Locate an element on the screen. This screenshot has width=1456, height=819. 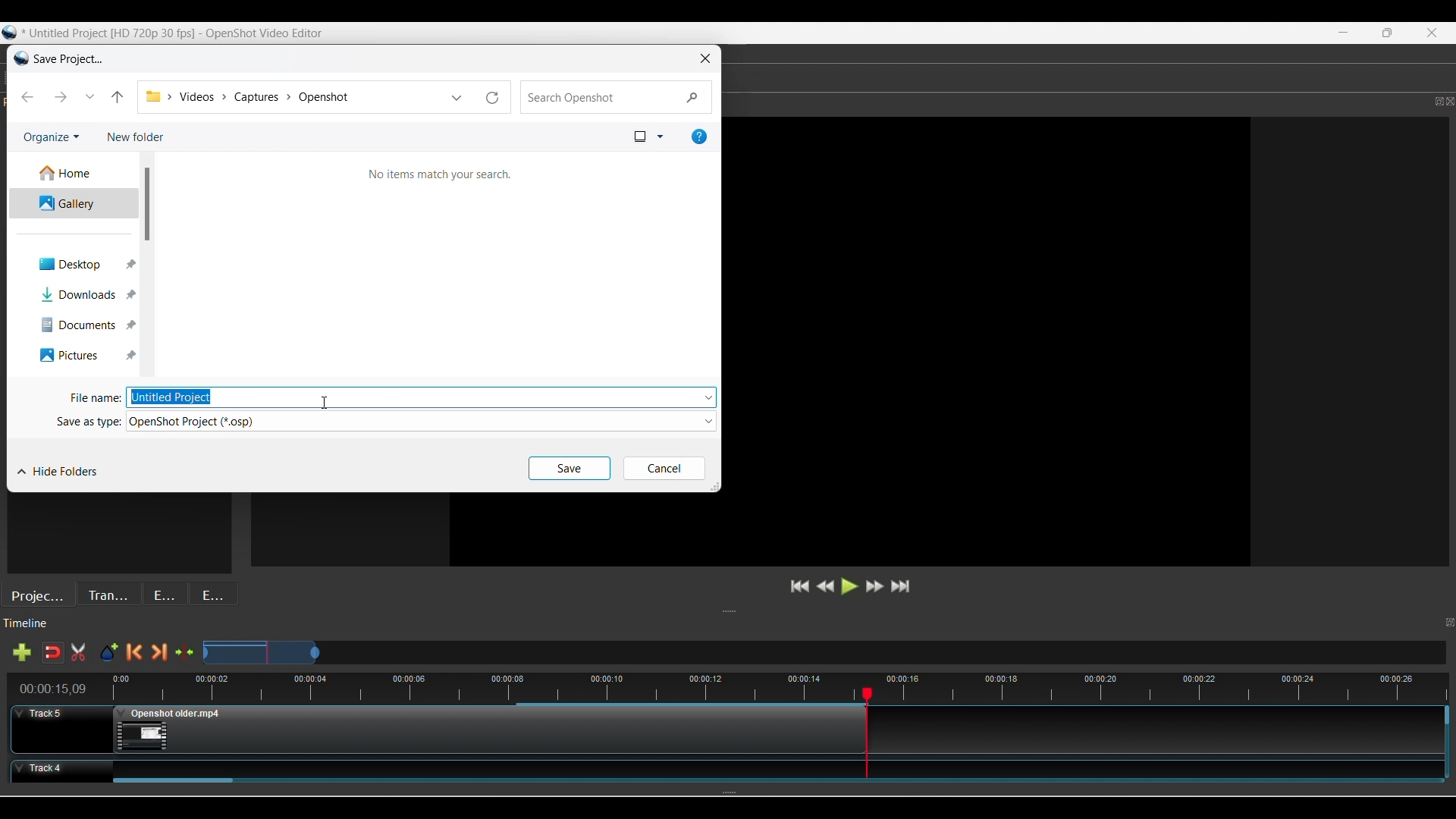
Hide folders currently visible is located at coordinates (58, 472).